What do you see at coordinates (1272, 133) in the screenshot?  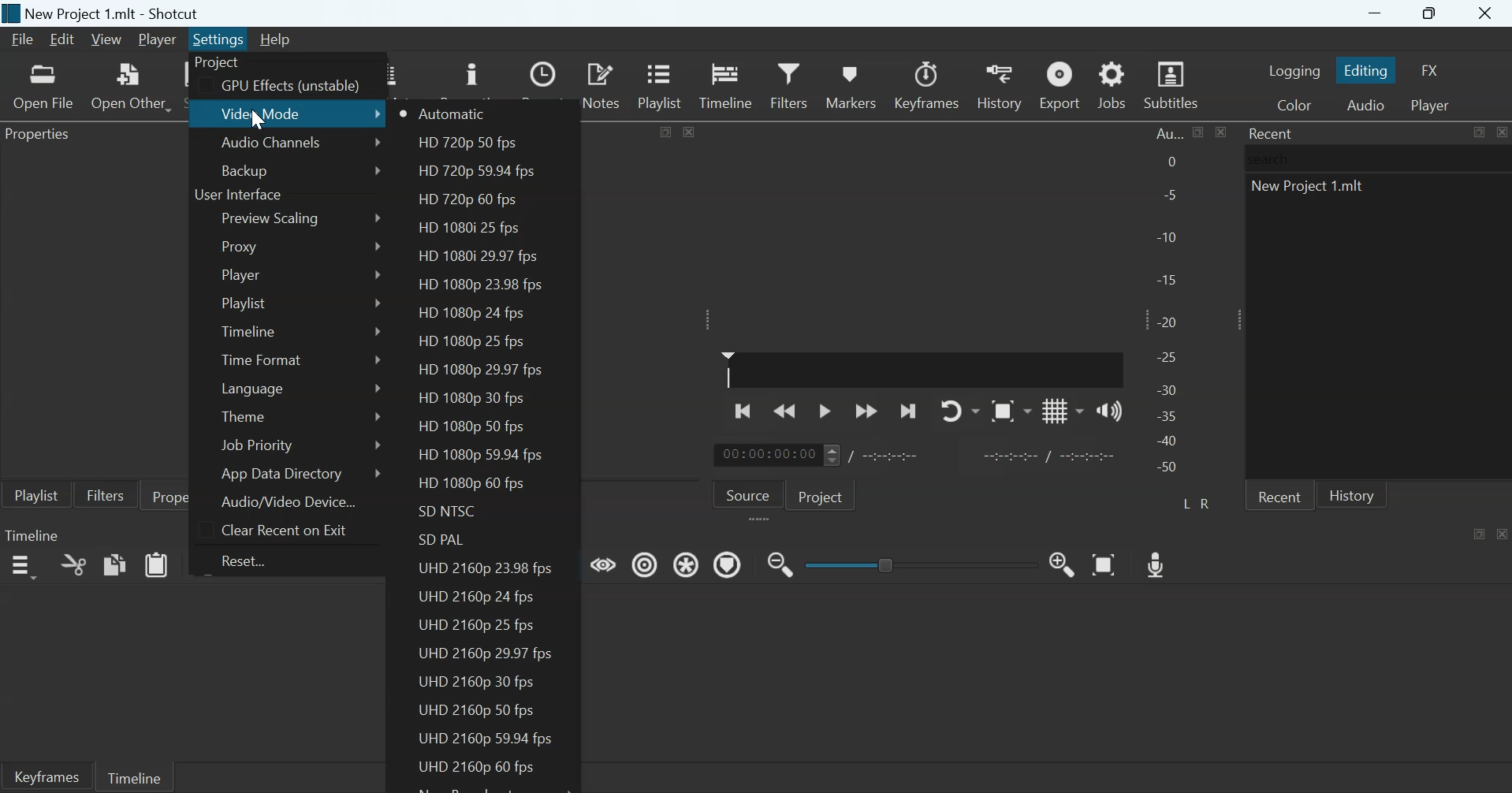 I see `Recent` at bounding box center [1272, 133].